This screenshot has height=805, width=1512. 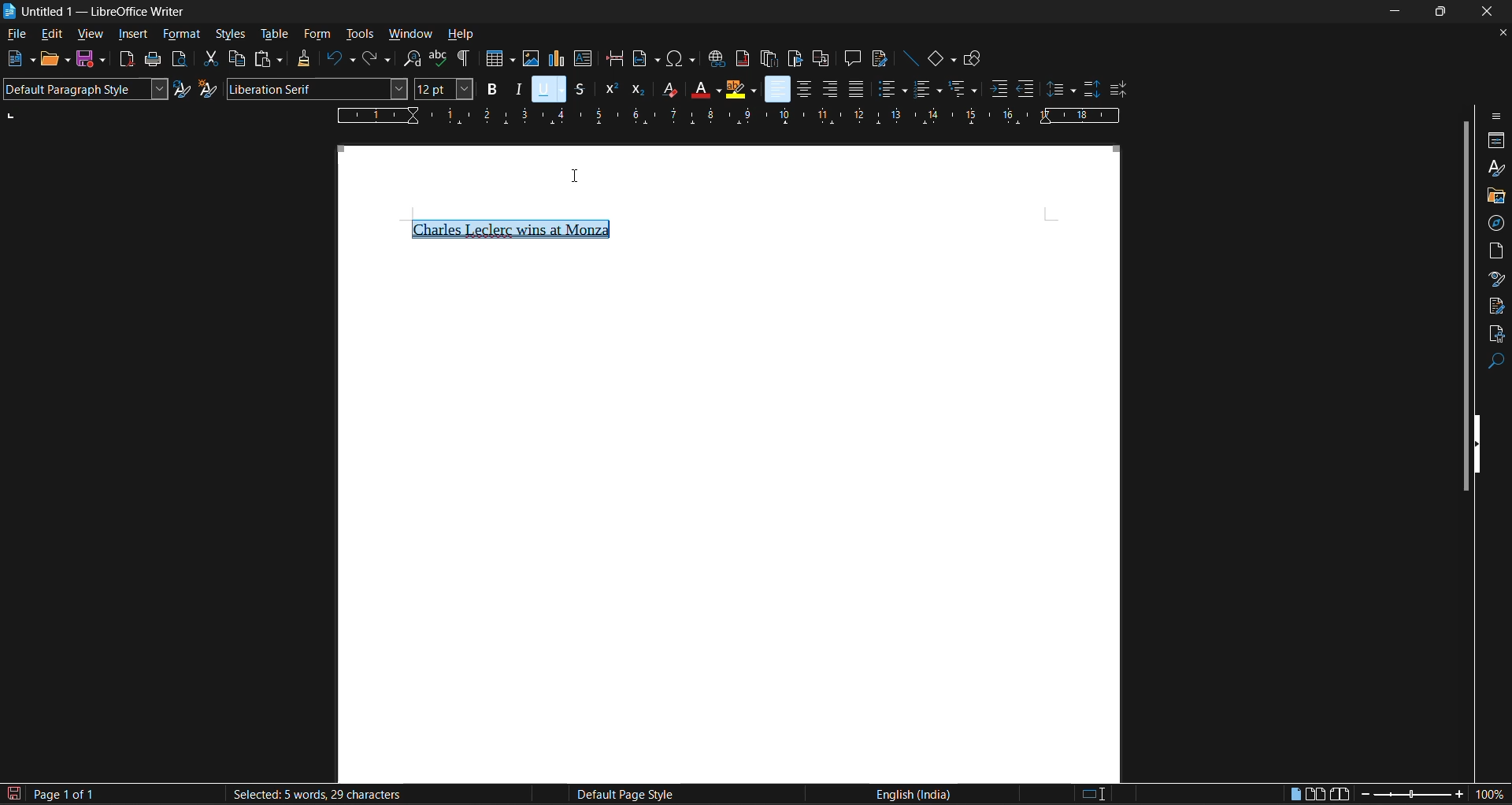 I want to click on insert page break, so click(x=614, y=58).